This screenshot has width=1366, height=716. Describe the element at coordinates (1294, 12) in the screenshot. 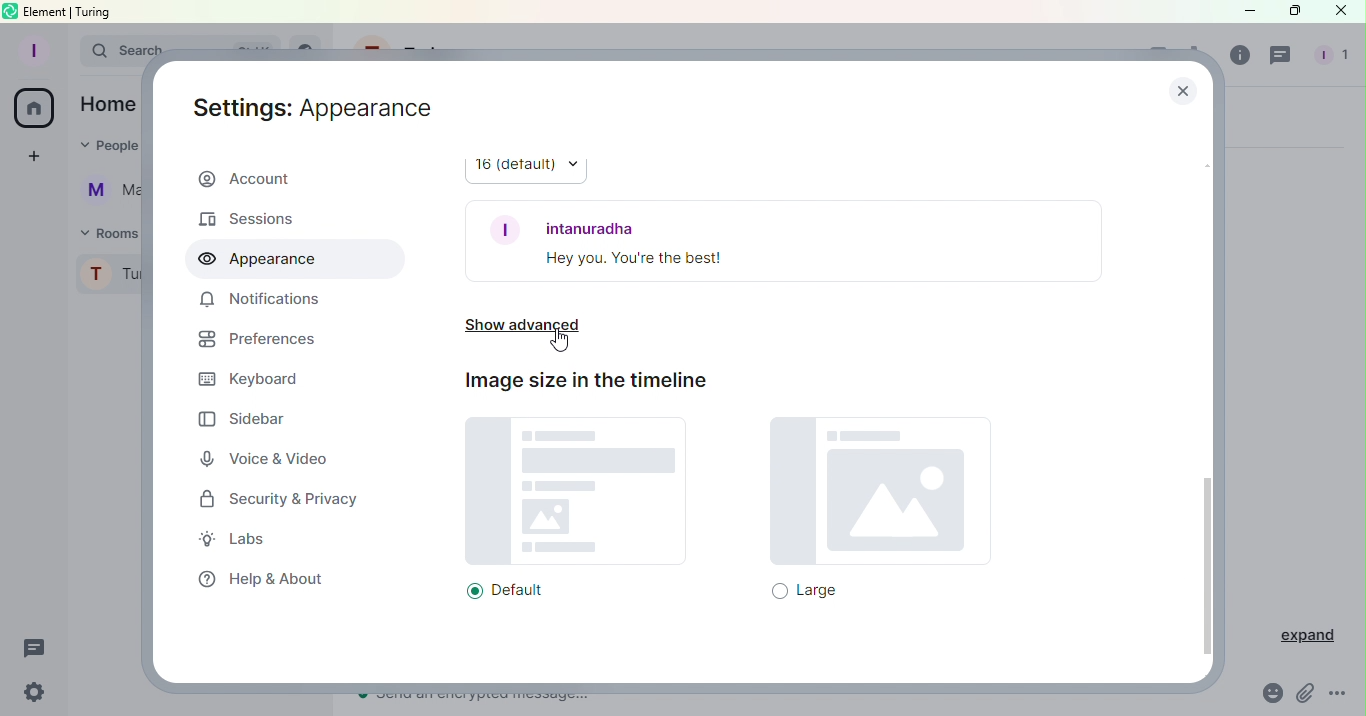

I see `Maximize` at that location.